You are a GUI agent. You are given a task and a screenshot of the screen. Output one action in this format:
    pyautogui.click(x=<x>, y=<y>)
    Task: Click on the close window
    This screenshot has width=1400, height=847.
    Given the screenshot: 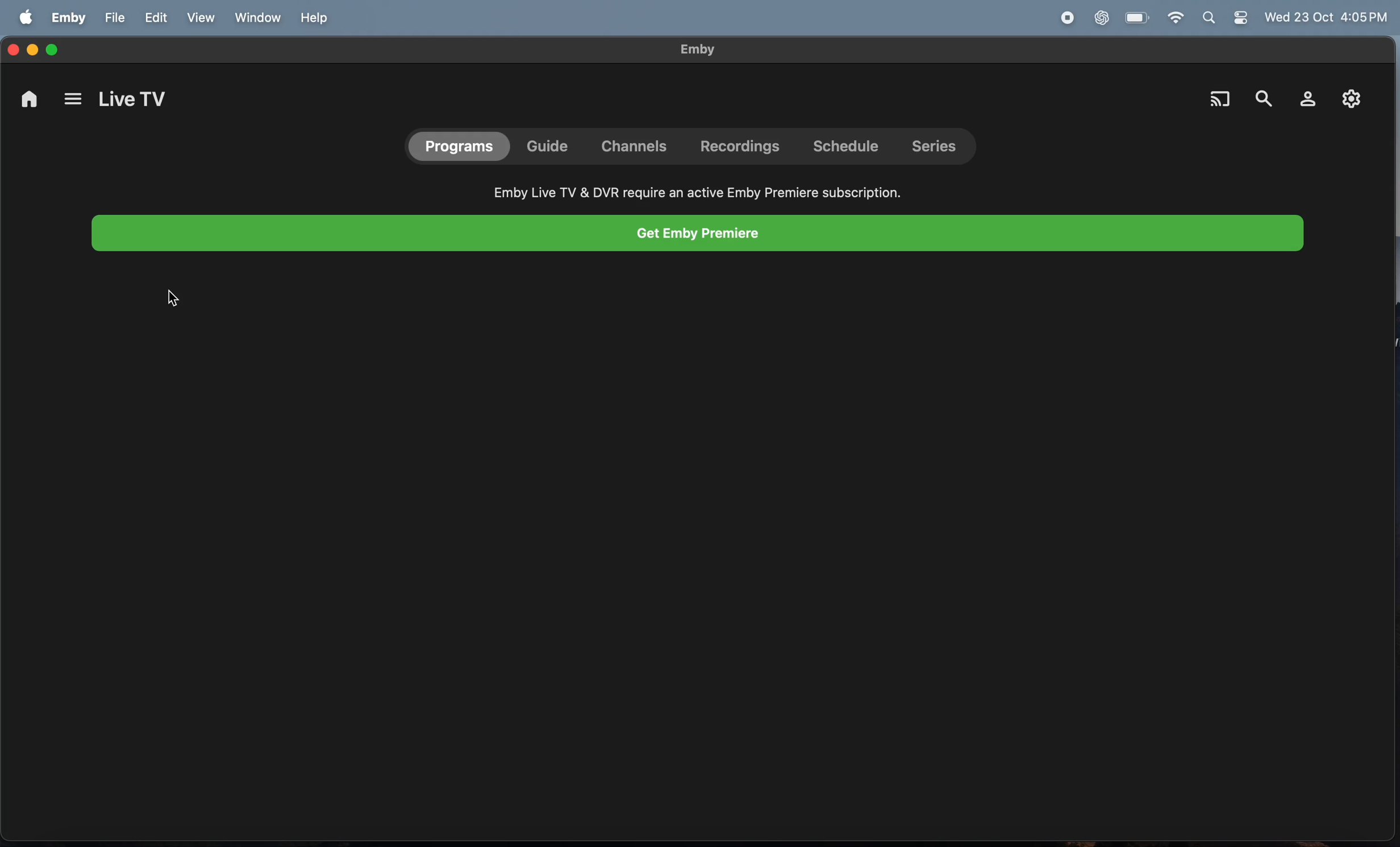 What is the action you would take?
    pyautogui.click(x=12, y=46)
    